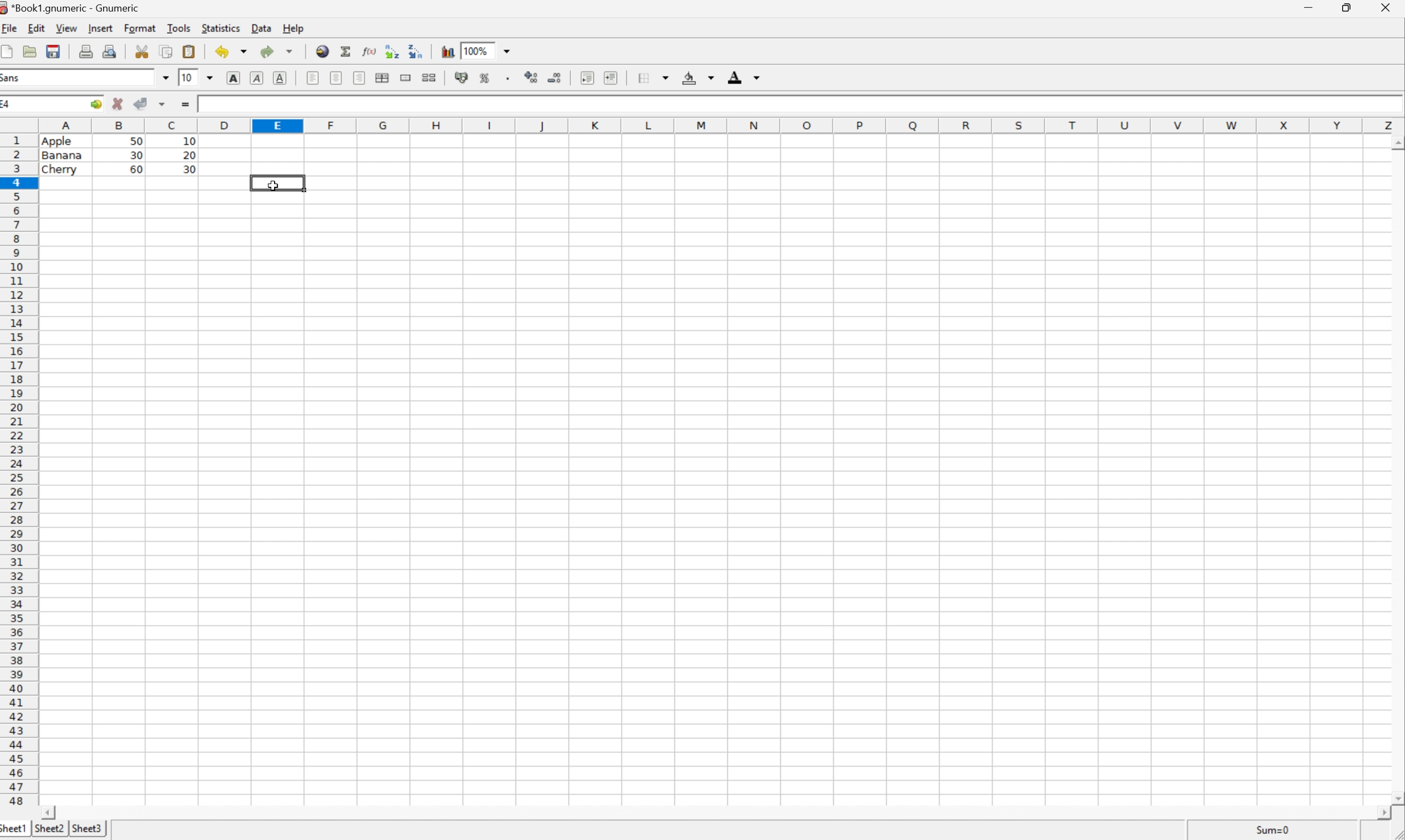  I want to click on accept changes, so click(142, 104).